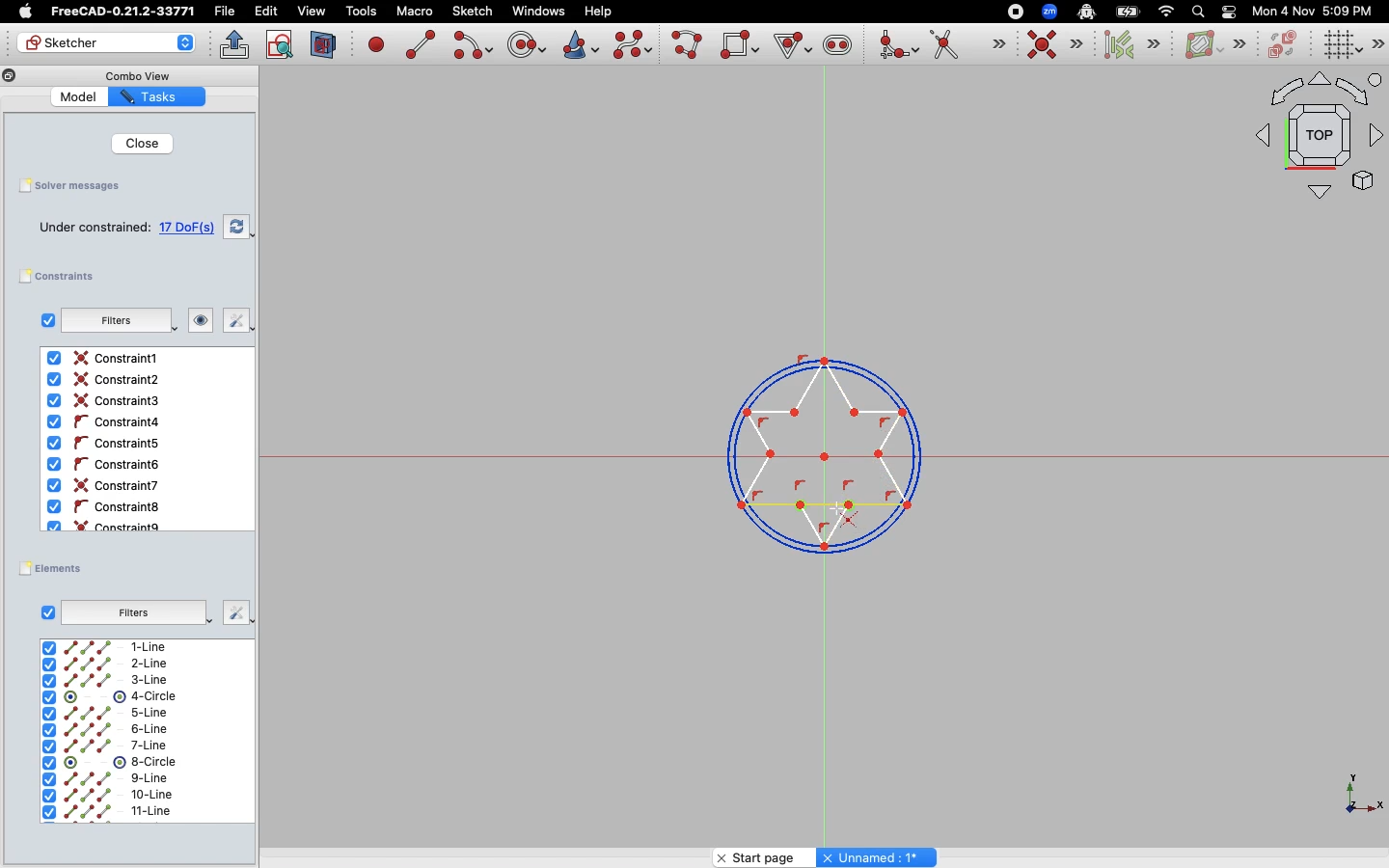 This screenshot has height=868, width=1389. I want to click on Switch virtual space, so click(1285, 45).